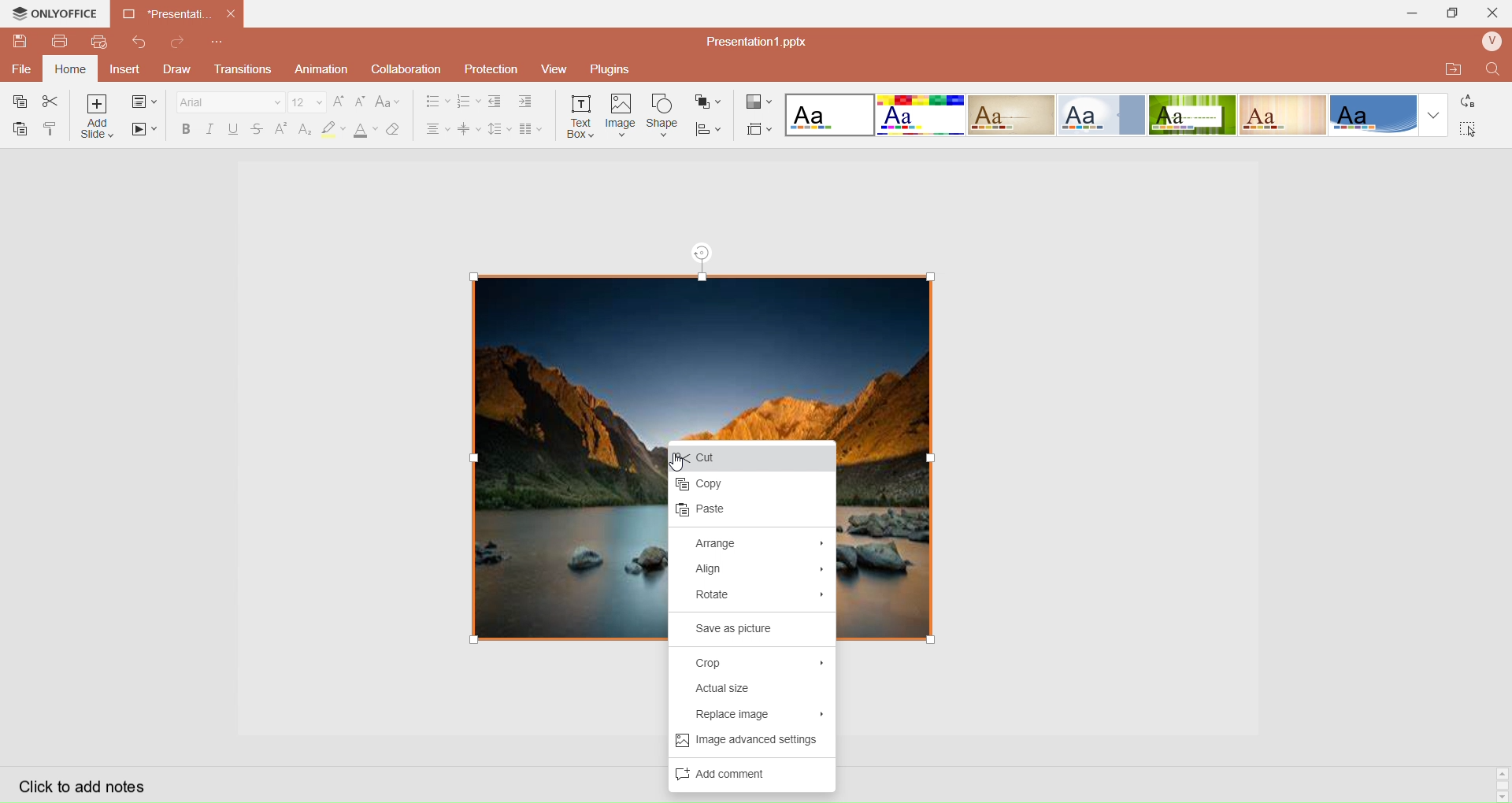  I want to click on Arrange, so click(755, 543).